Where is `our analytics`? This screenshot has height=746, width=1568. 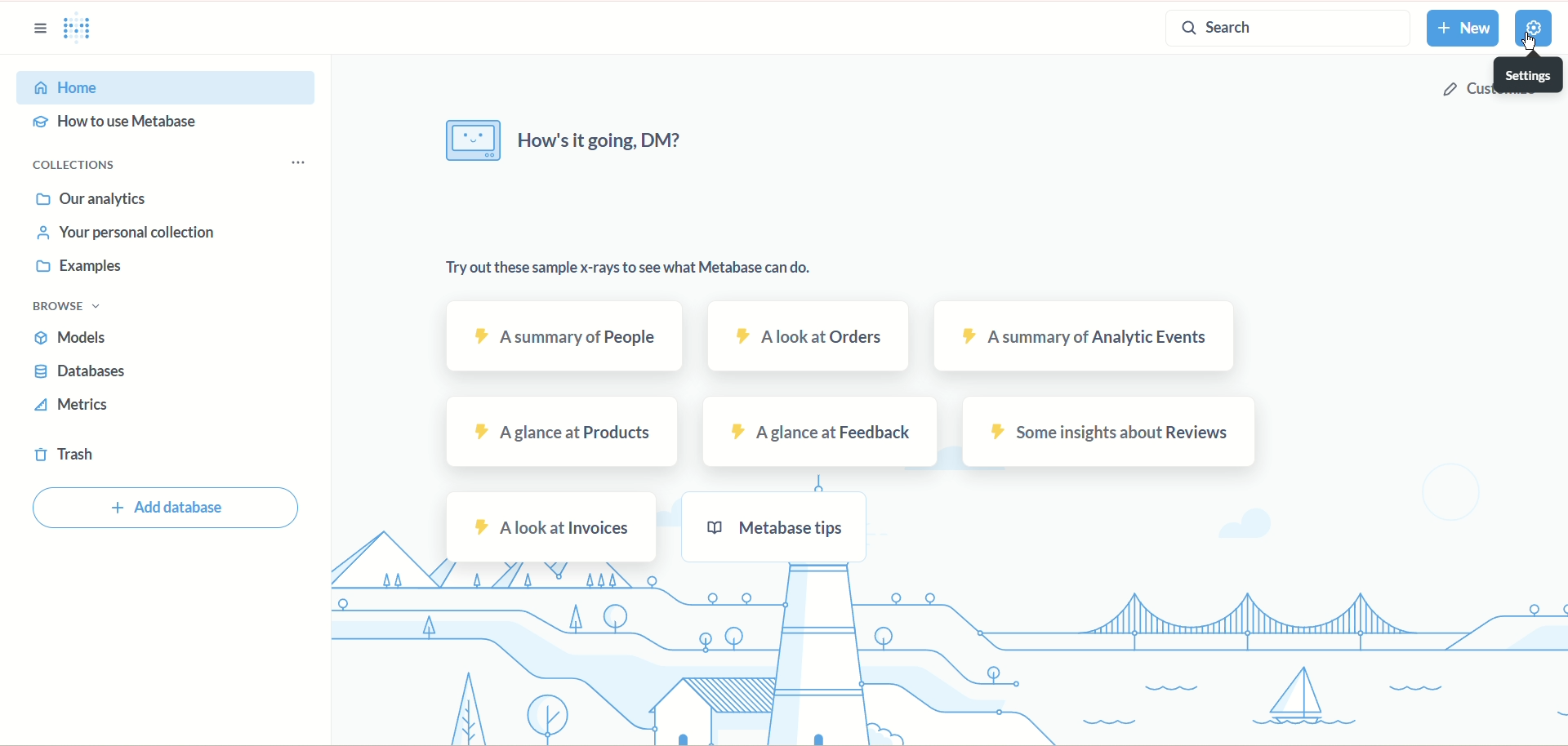
our analytics is located at coordinates (87, 202).